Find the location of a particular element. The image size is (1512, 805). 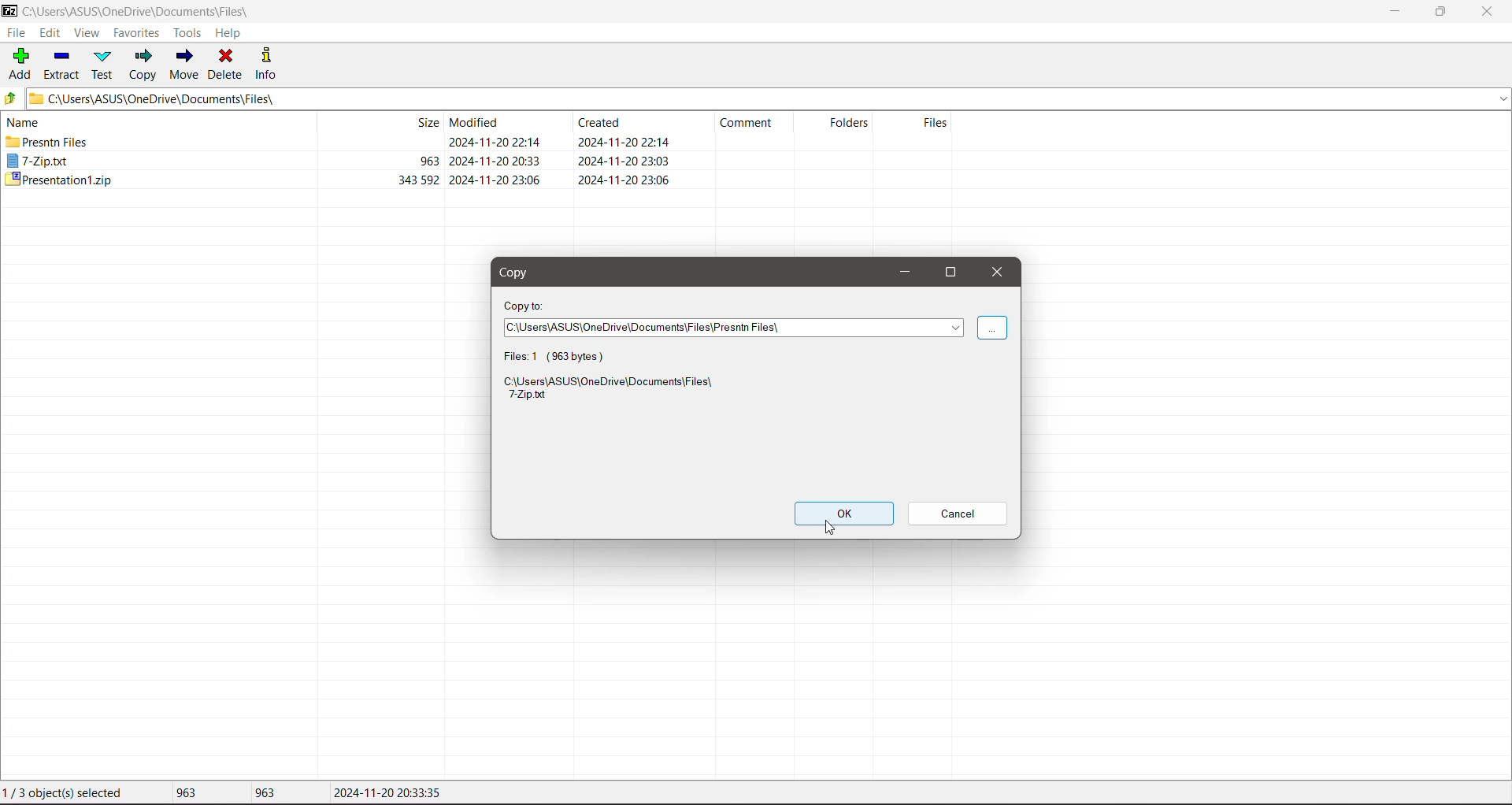

Title Bar color changed on Click is located at coordinates (547, 10).